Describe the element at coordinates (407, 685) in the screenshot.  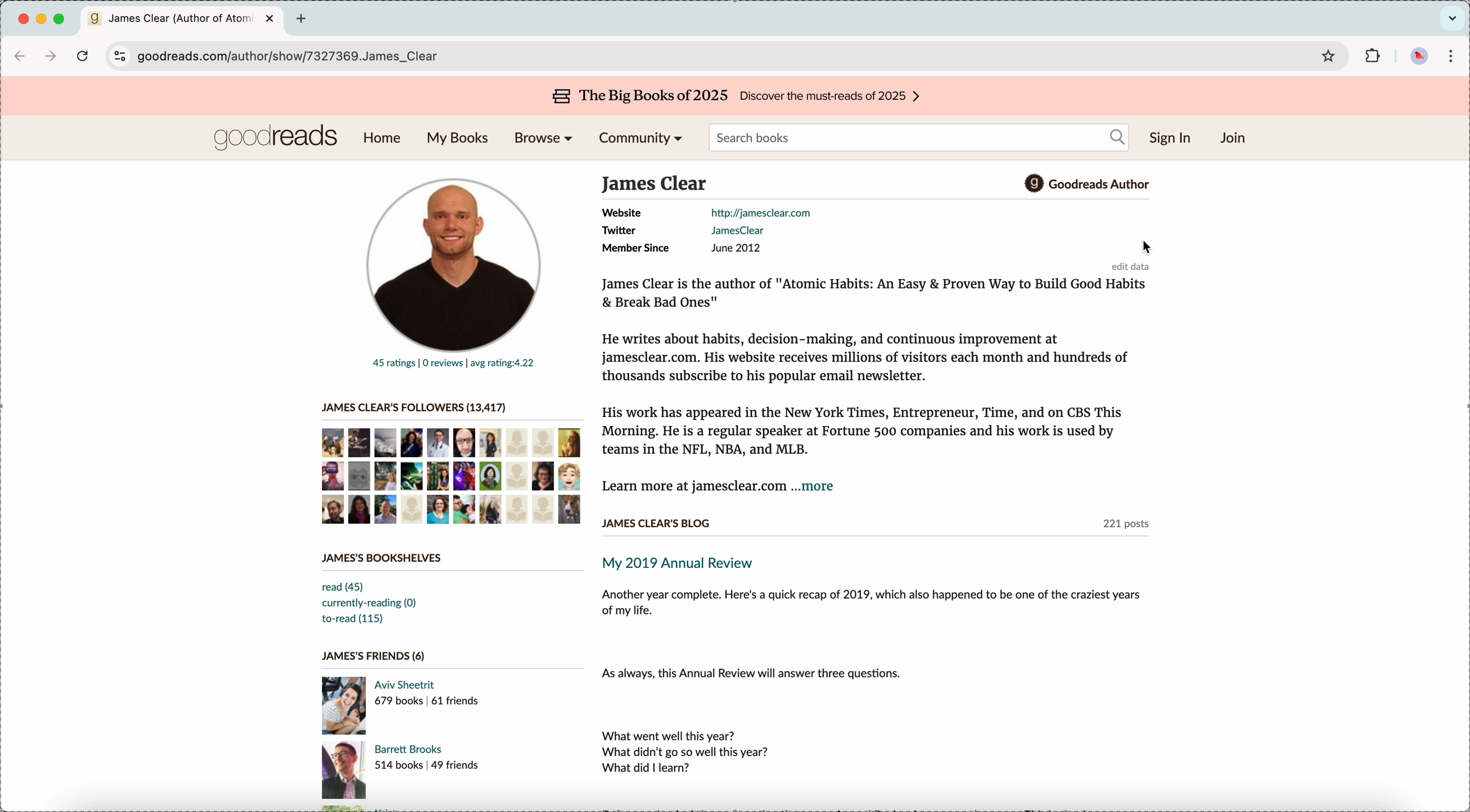
I see `Aviv Sheetrit` at that location.